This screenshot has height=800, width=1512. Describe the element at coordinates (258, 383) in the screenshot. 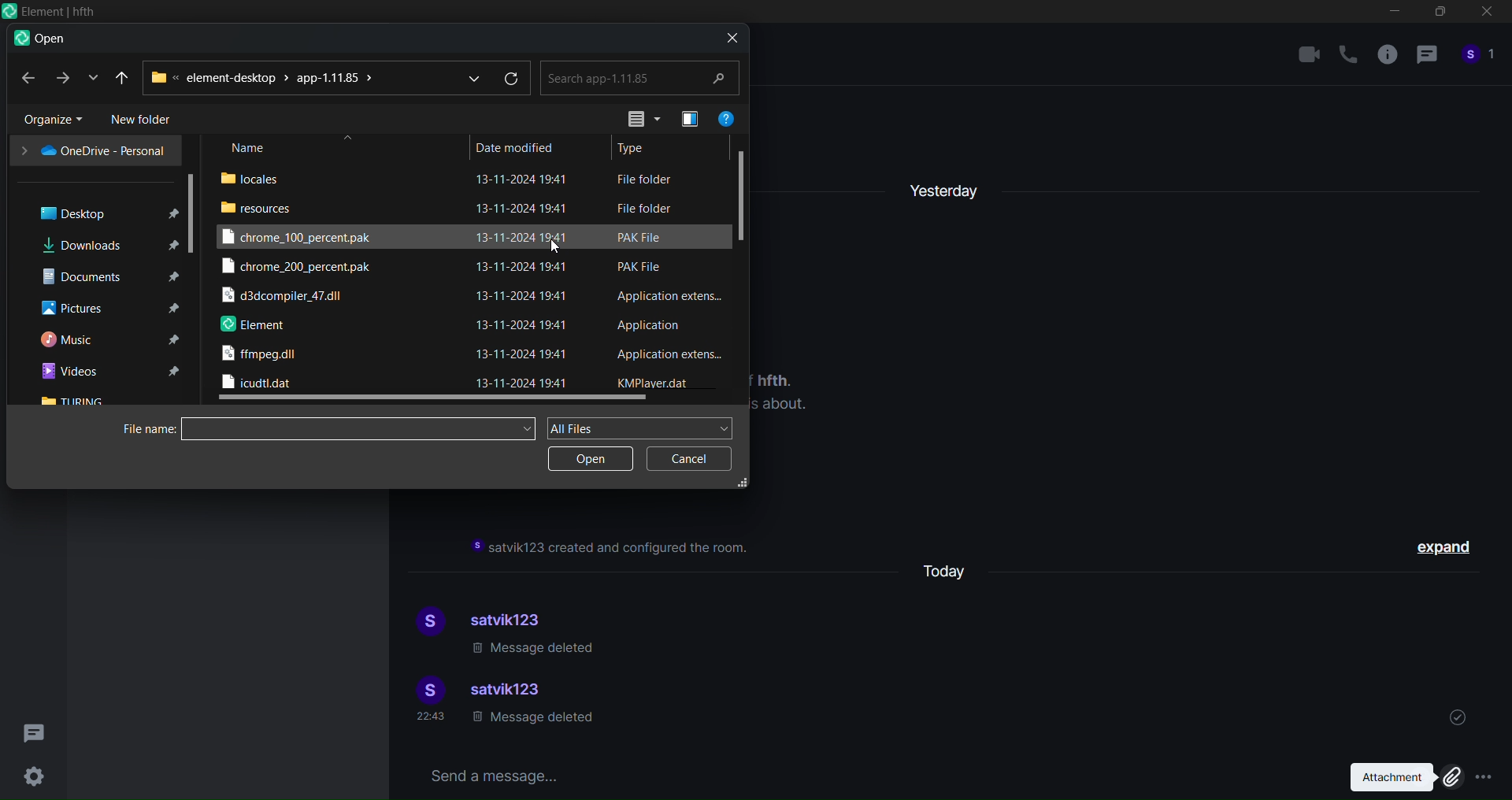

I see `icudtl dll` at that location.